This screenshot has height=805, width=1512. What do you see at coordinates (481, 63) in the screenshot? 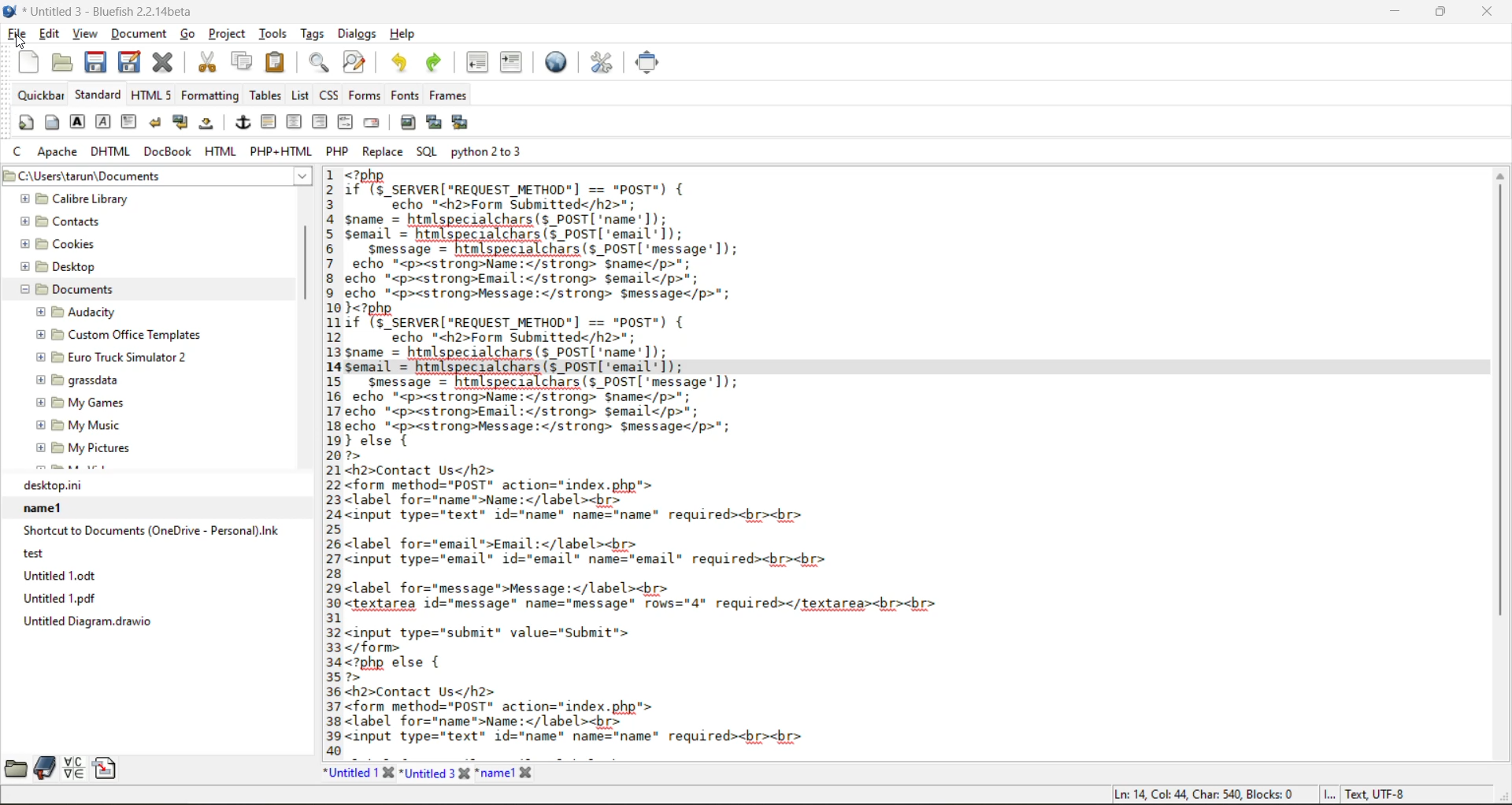
I see `unindent ` at bounding box center [481, 63].